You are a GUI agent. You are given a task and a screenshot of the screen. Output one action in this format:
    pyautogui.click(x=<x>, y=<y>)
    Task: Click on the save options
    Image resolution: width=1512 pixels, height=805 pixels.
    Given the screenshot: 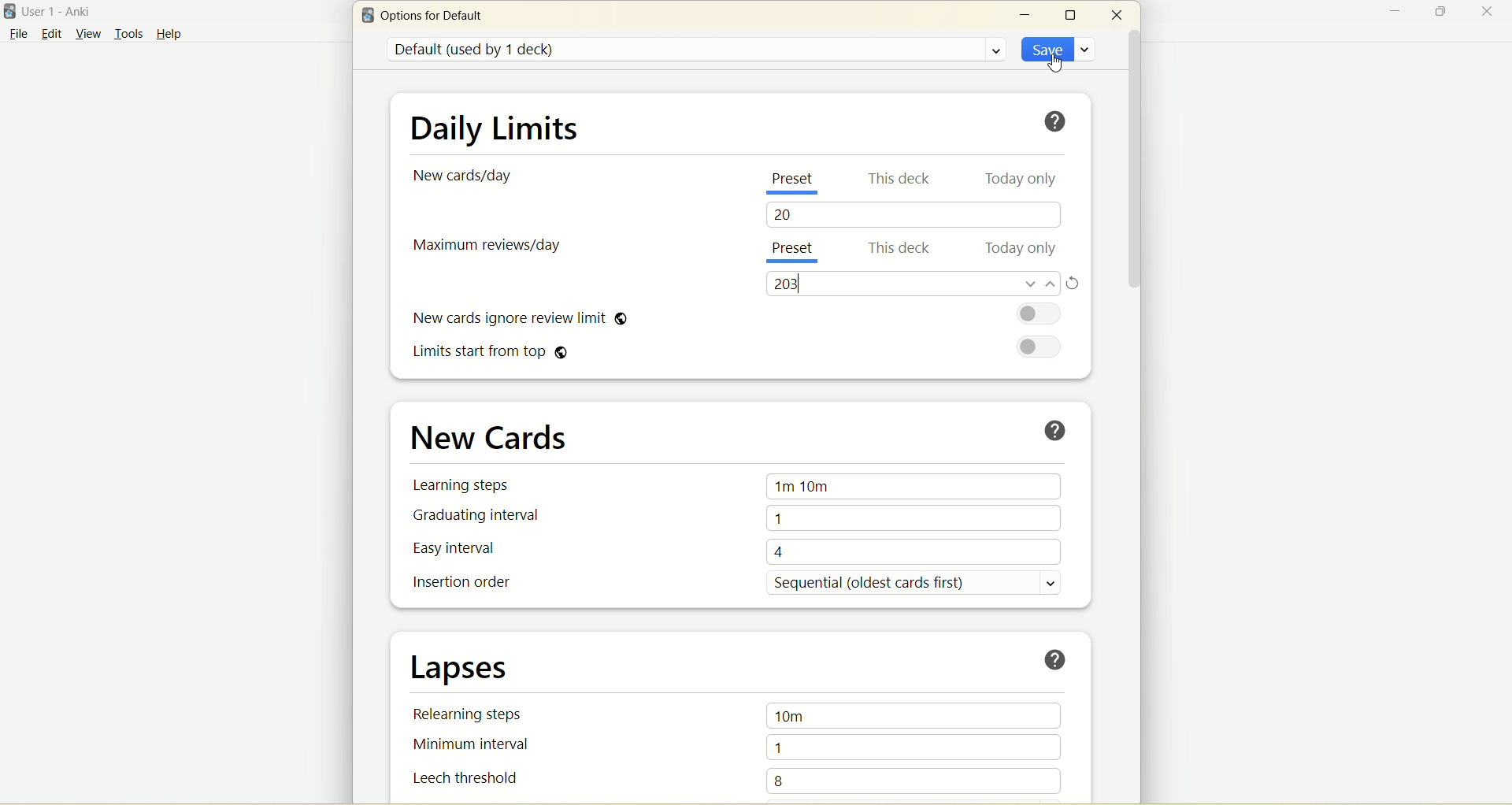 What is the action you would take?
    pyautogui.click(x=1088, y=50)
    